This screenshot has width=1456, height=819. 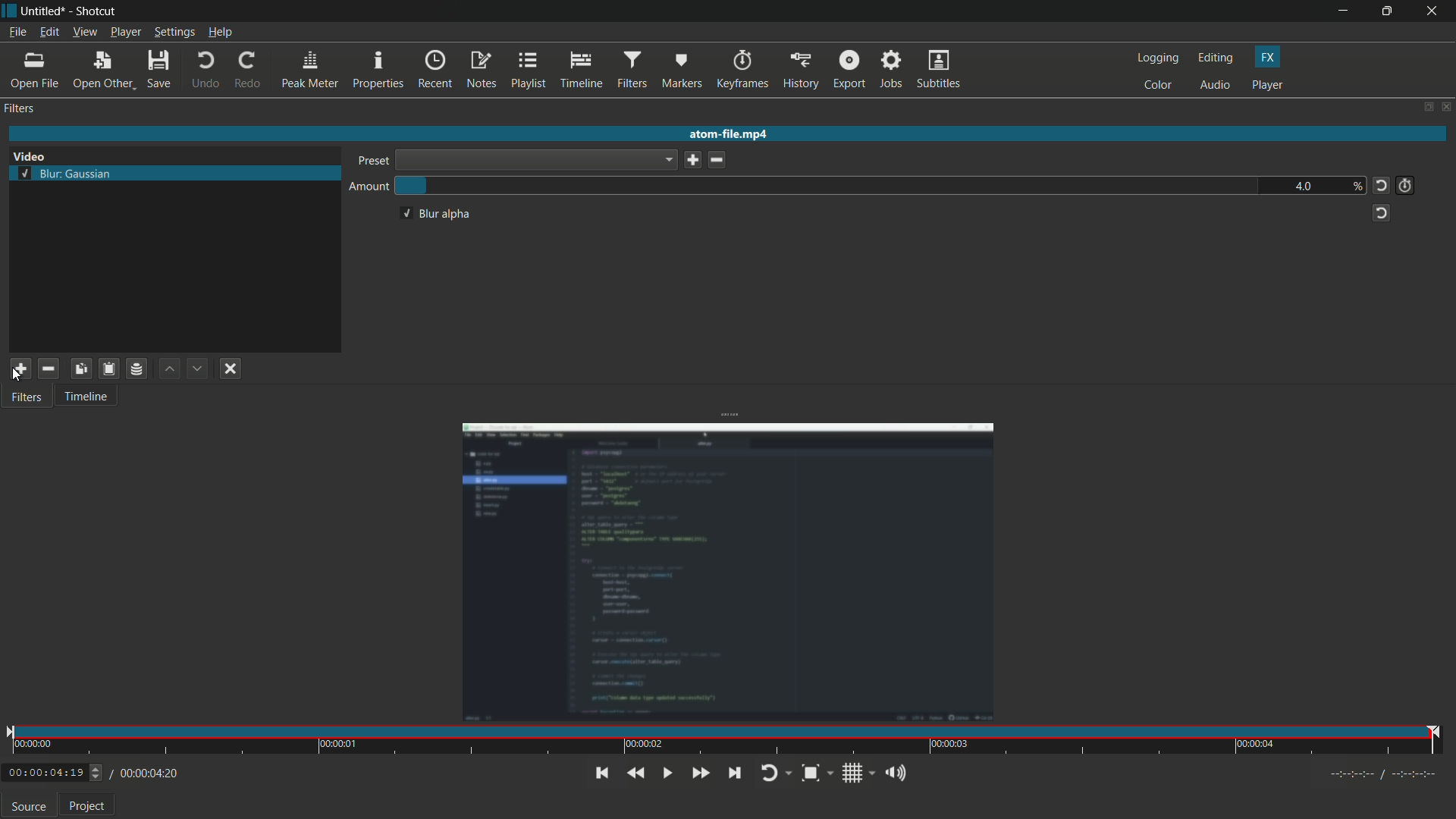 What do you see at coordinates (203, 71) in the screenshot?
I see `undo` at bounding box center [203, 71].